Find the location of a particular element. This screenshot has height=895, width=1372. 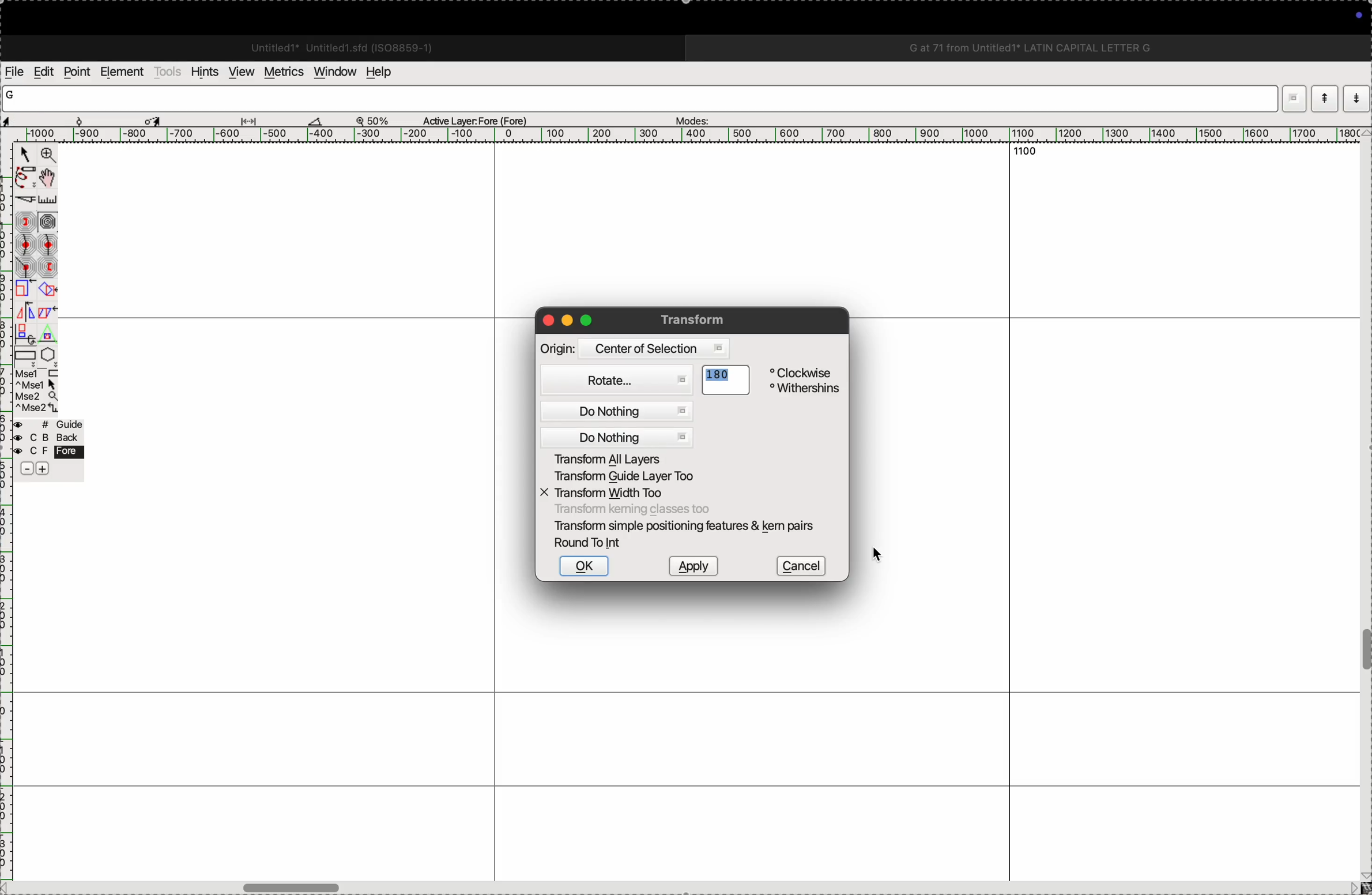

transform guide layer too is located at coordinates (639, 476).